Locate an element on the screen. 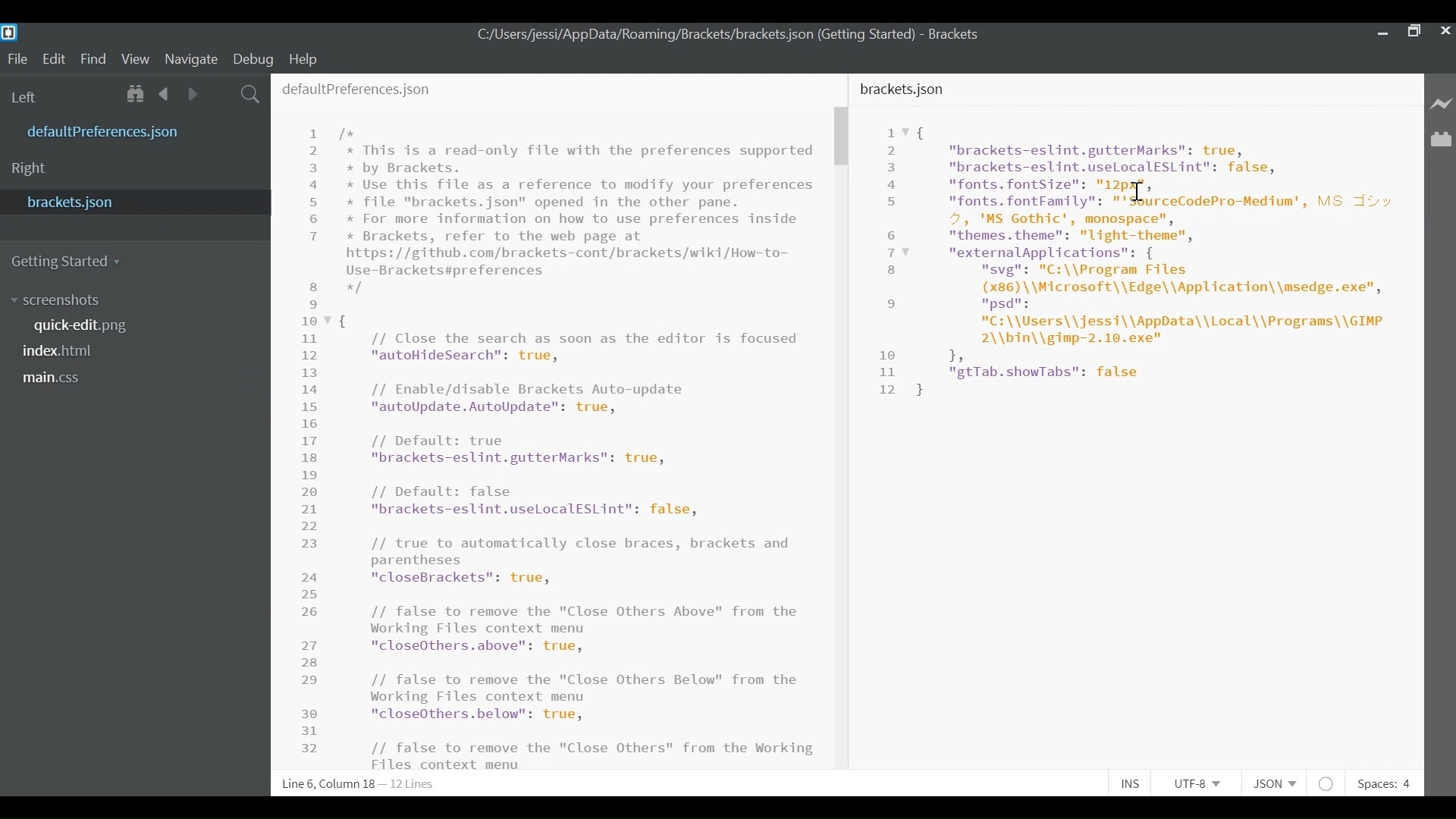  JSON is located at coordinates (1279, 783).